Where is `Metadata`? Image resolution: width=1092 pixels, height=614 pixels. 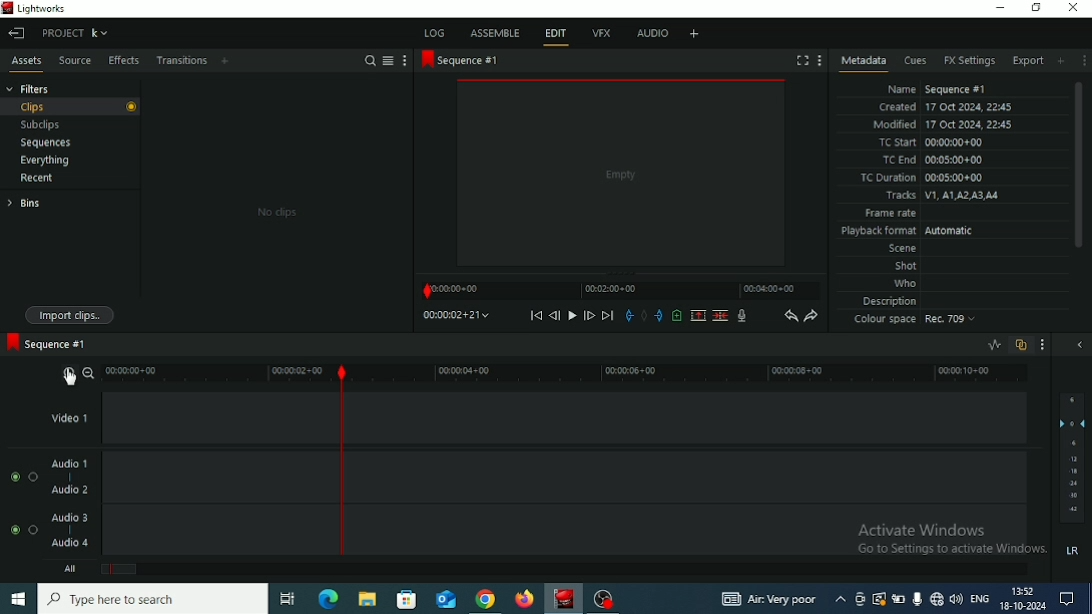 Metadata is located at coordinates (862, 63).